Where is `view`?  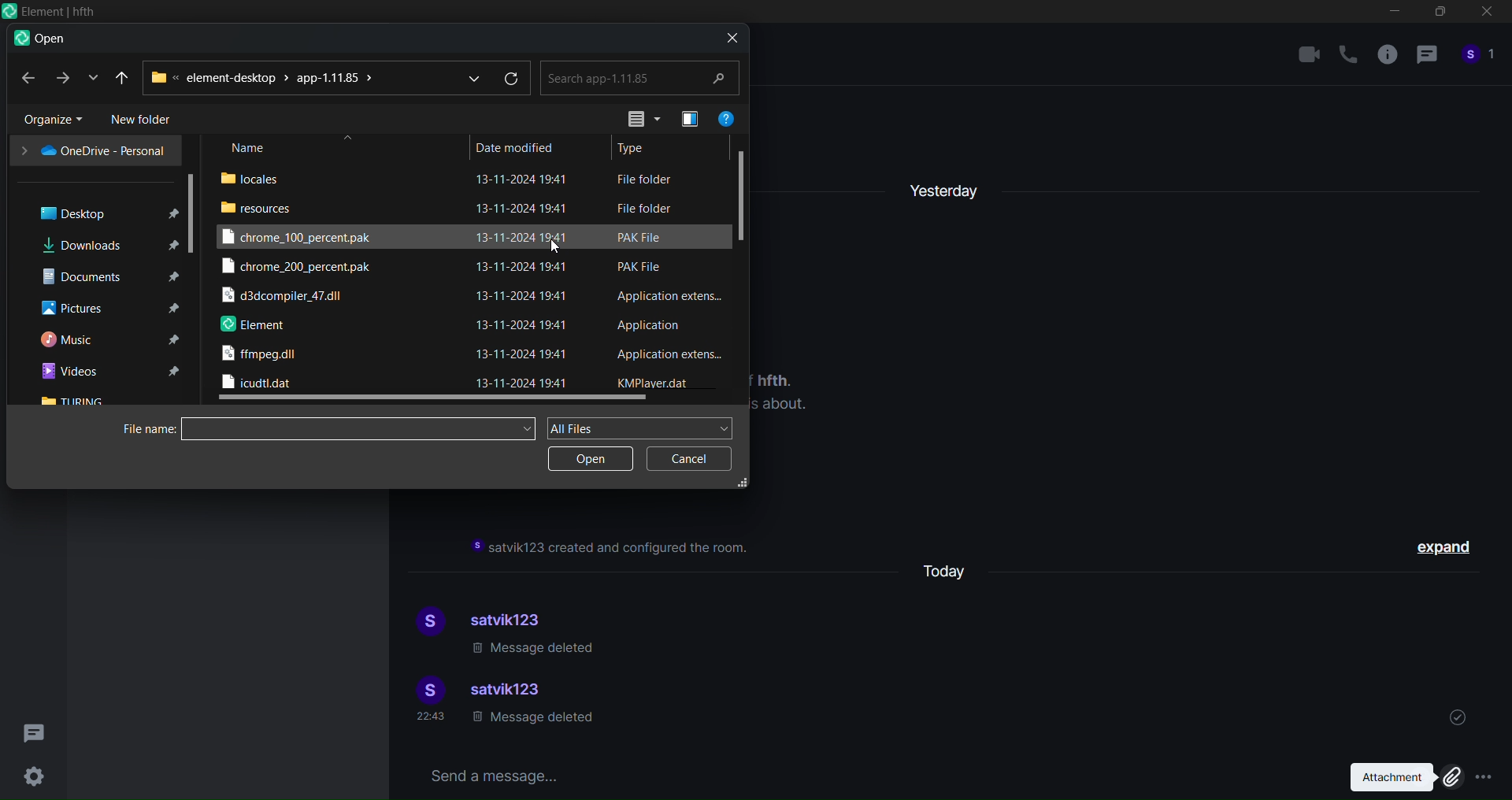 view is located at coordinates (636, 118).